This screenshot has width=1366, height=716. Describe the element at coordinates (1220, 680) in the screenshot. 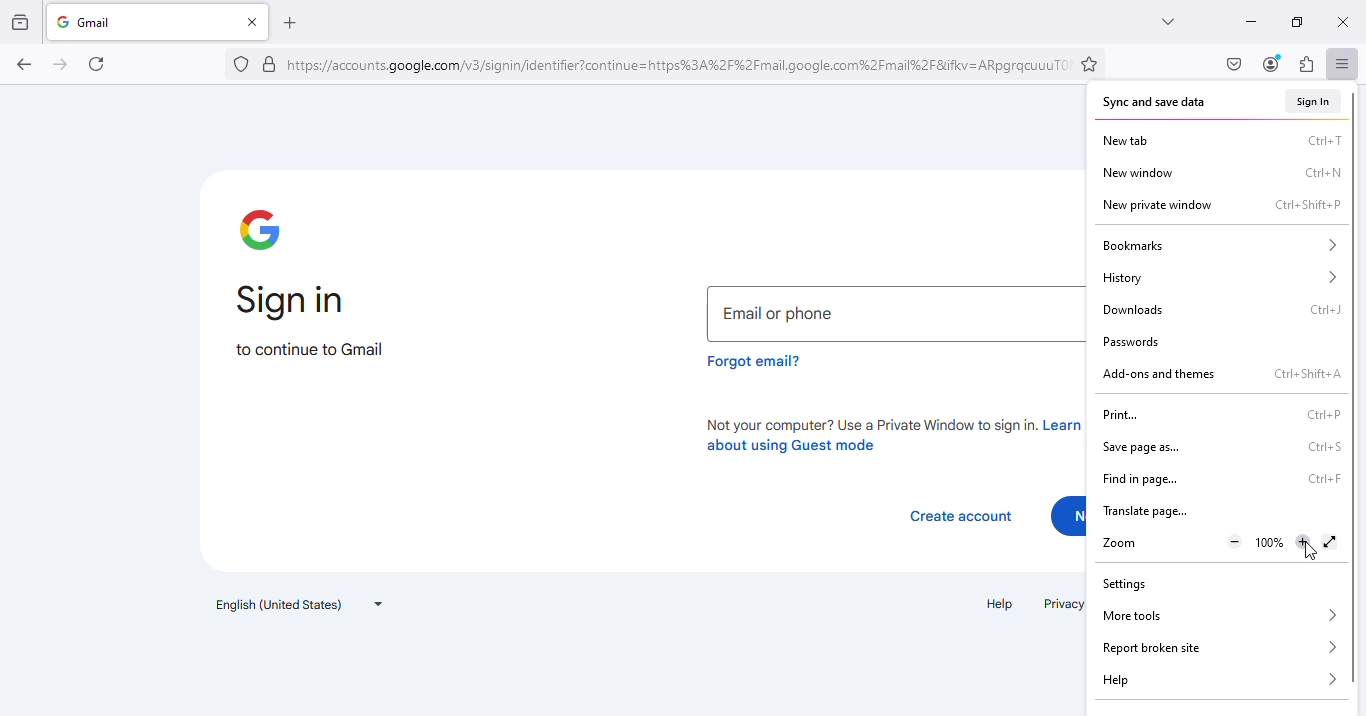

I see `help` at that location.